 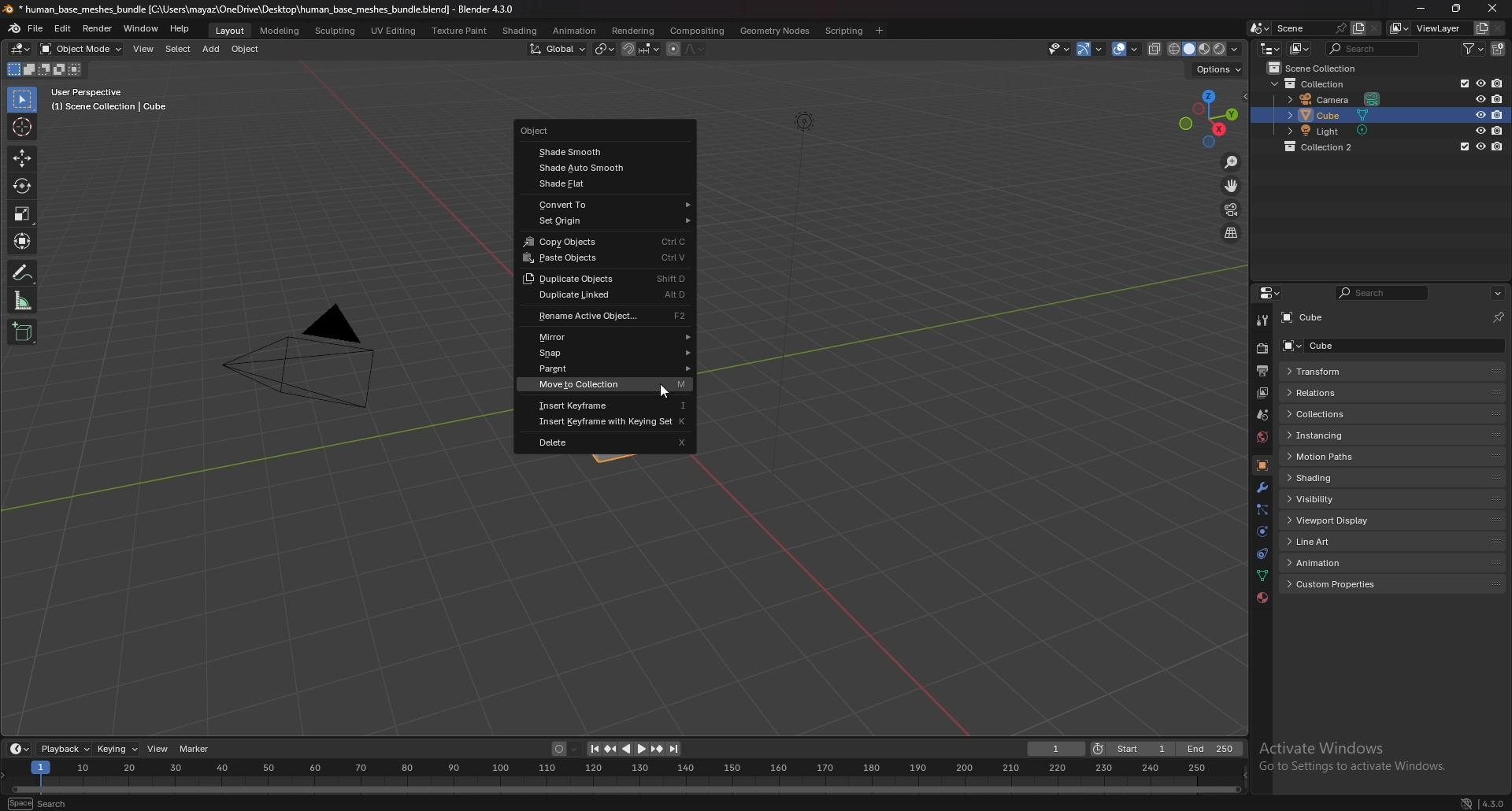 I want to click on search, so click(x=40, y=802).